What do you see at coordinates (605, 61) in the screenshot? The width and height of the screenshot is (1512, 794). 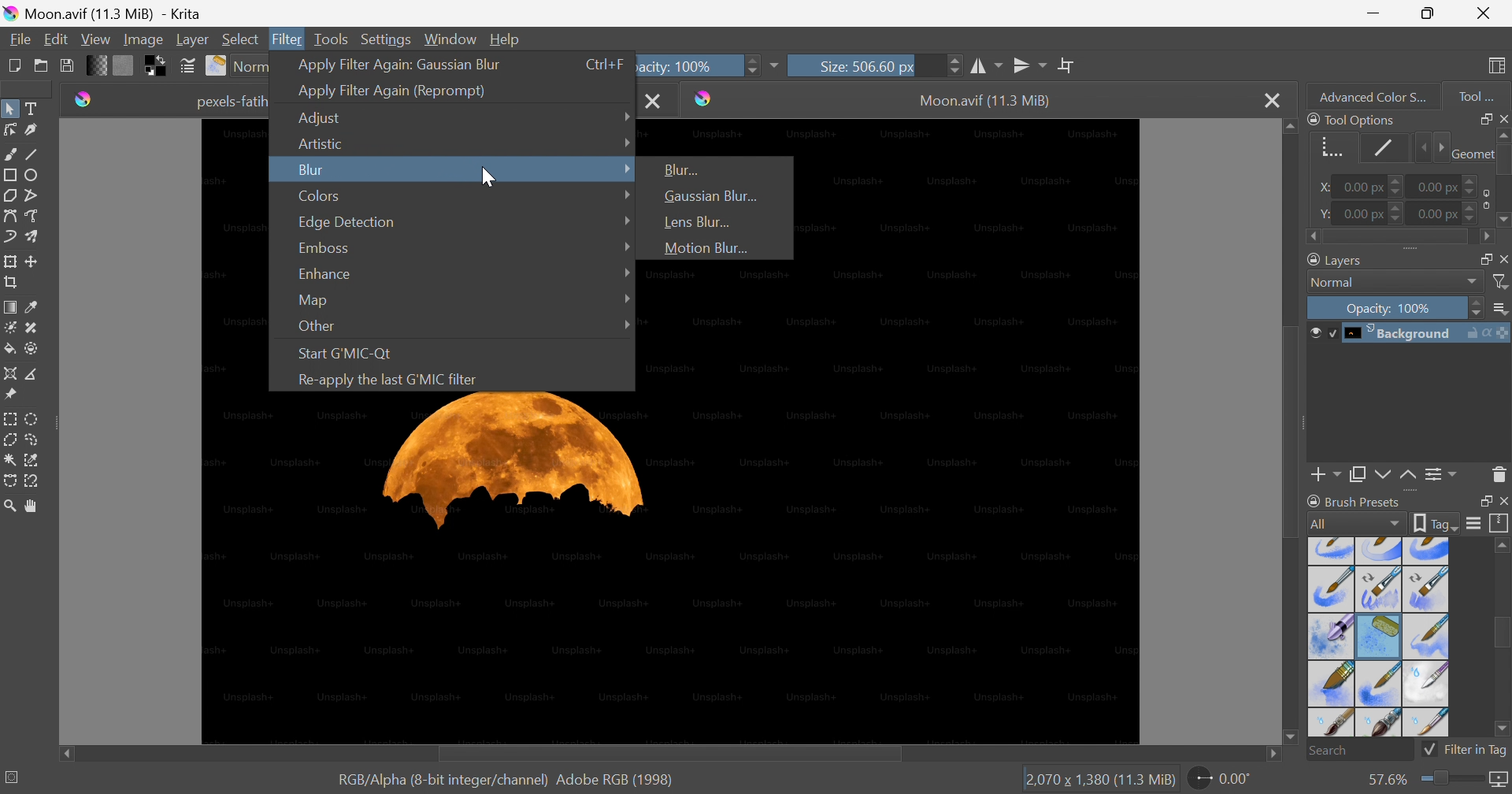 I see `Ctrl+F` at bounding box center [605, 61].